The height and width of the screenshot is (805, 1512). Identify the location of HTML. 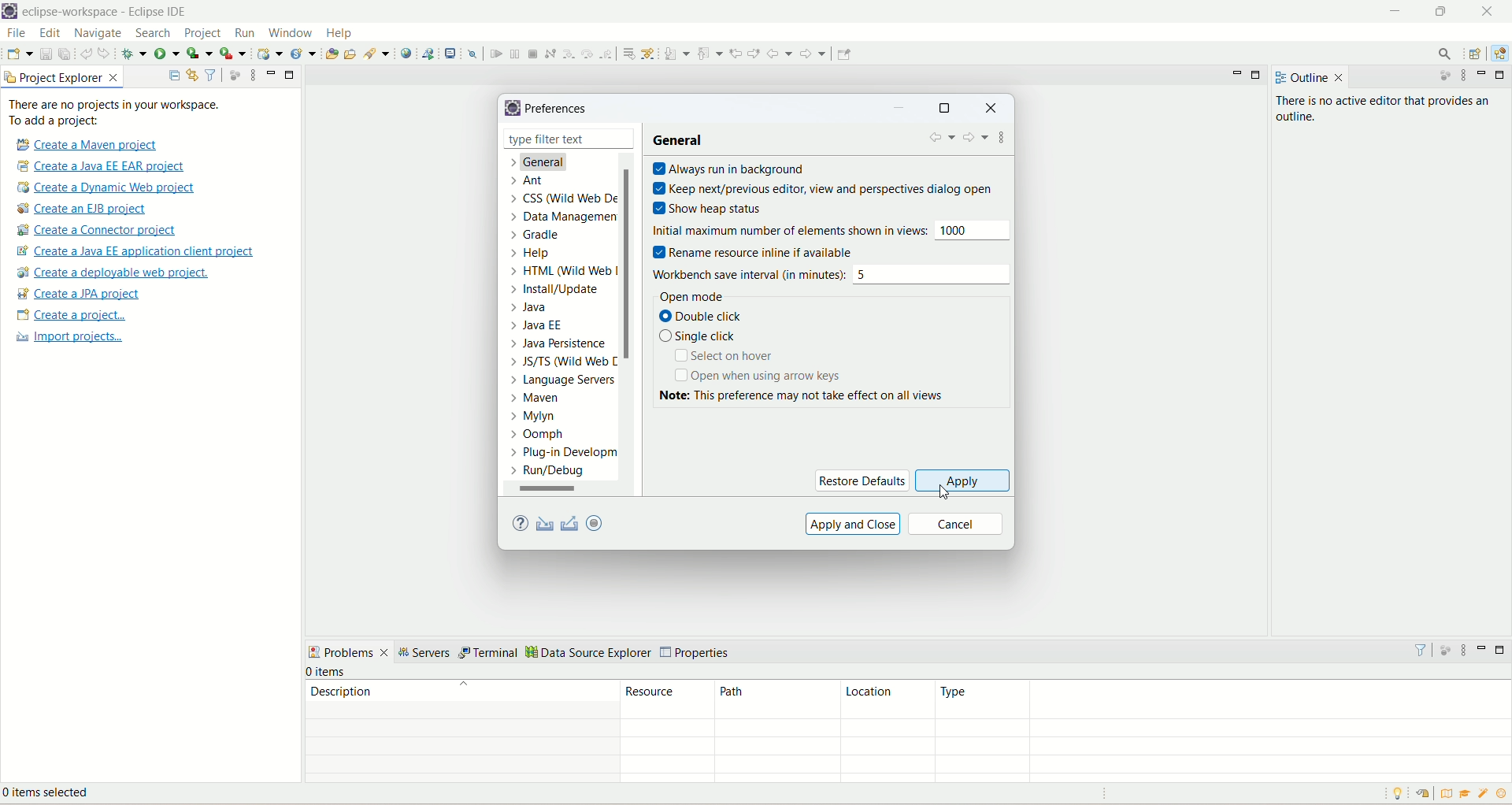
(565, 273).